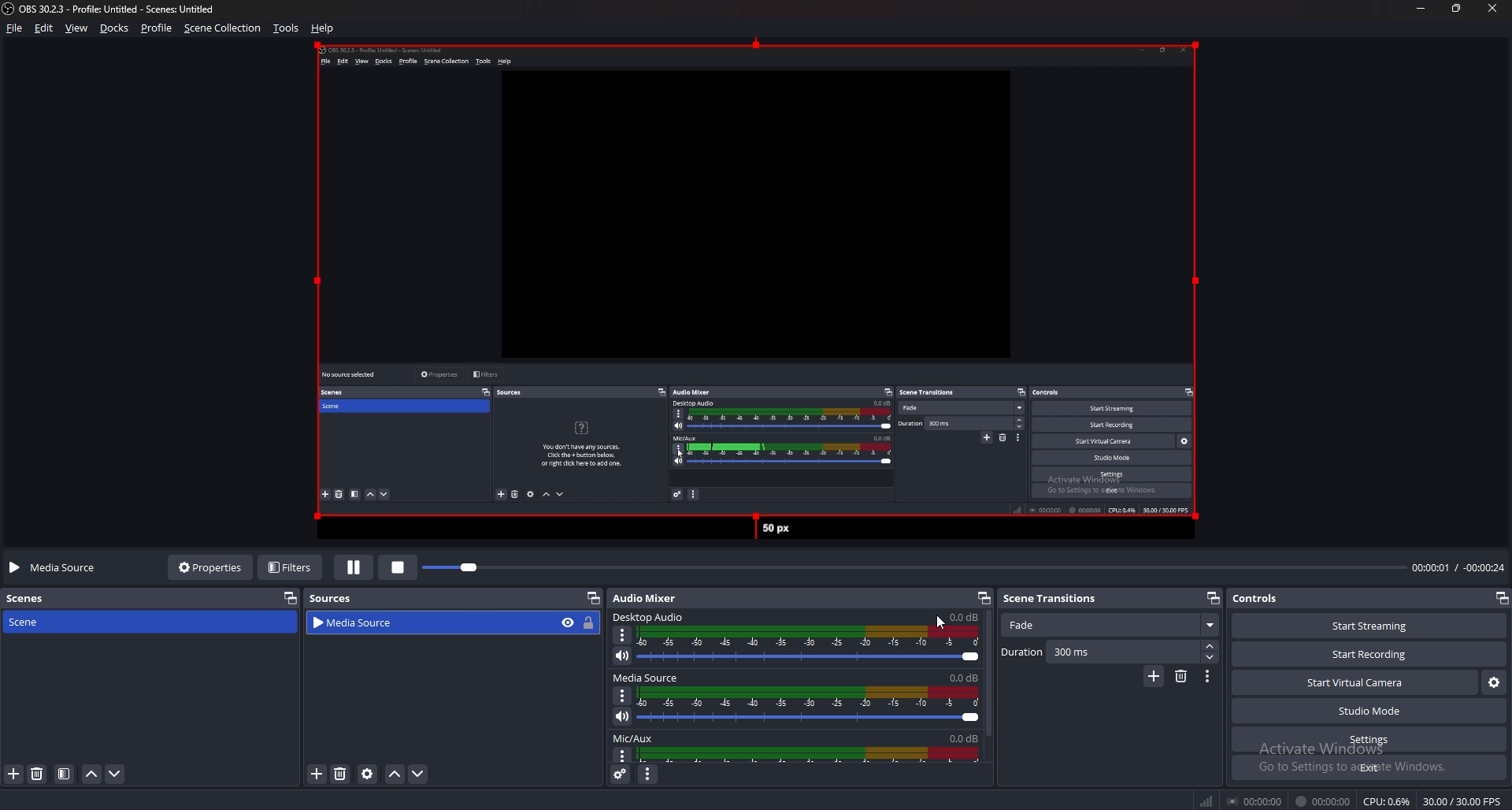  I want to click on Scene collection, so click(223, 28).